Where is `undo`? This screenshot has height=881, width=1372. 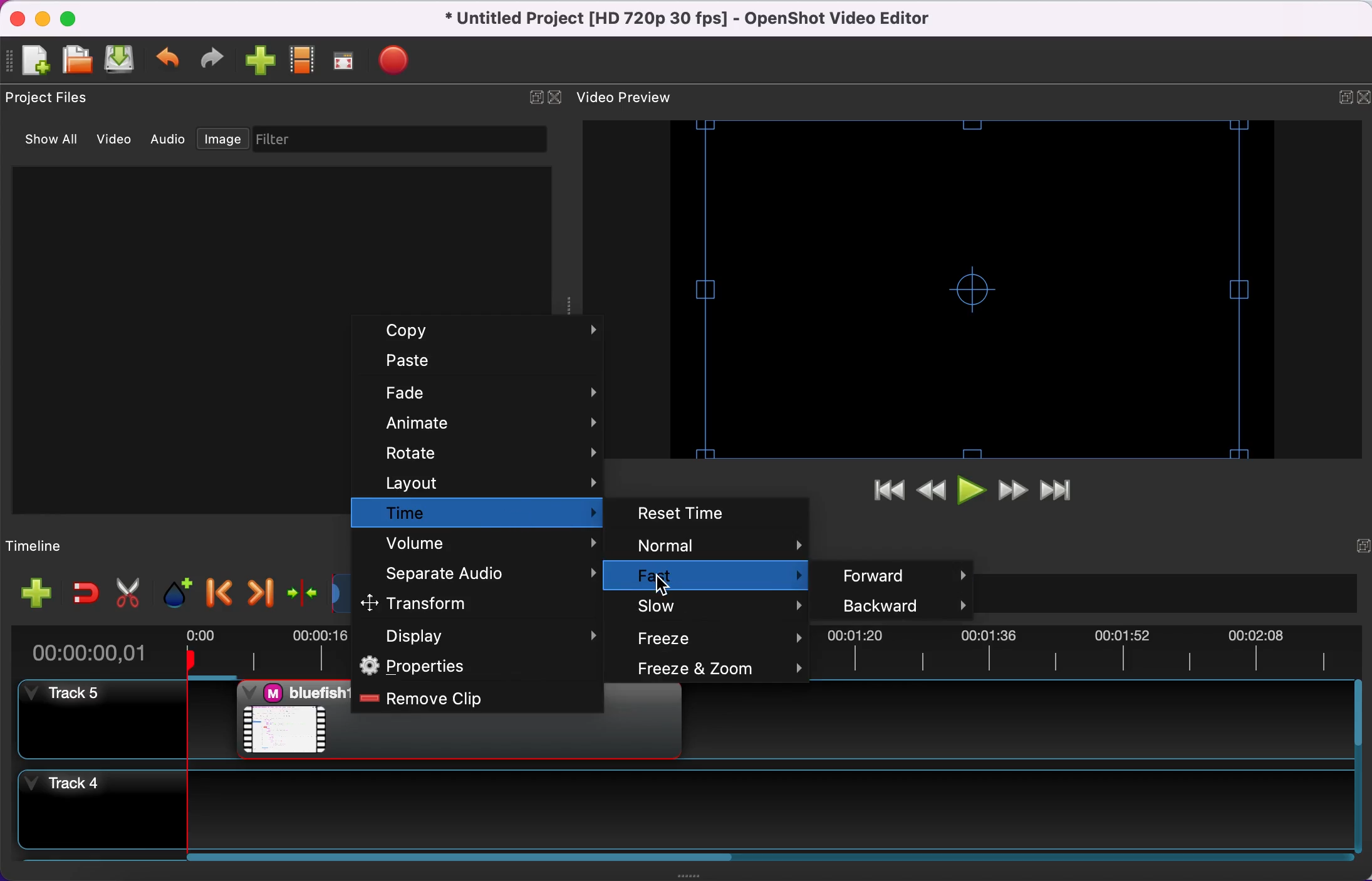 undo is located at coordinates (172, 61).